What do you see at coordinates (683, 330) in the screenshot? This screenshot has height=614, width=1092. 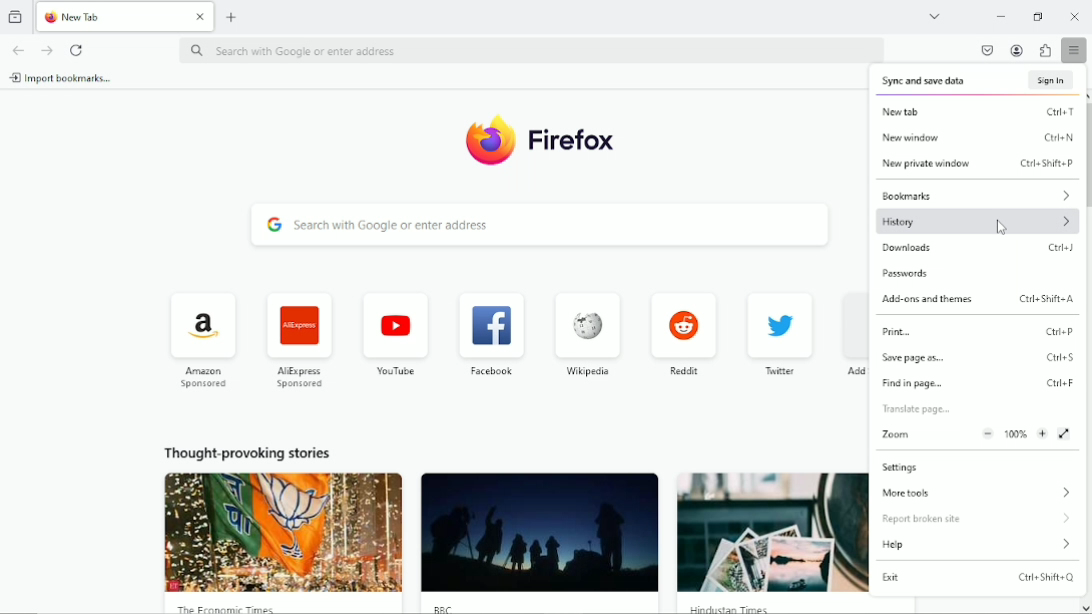 I see `Reddit` at bounding box center [683, 330].